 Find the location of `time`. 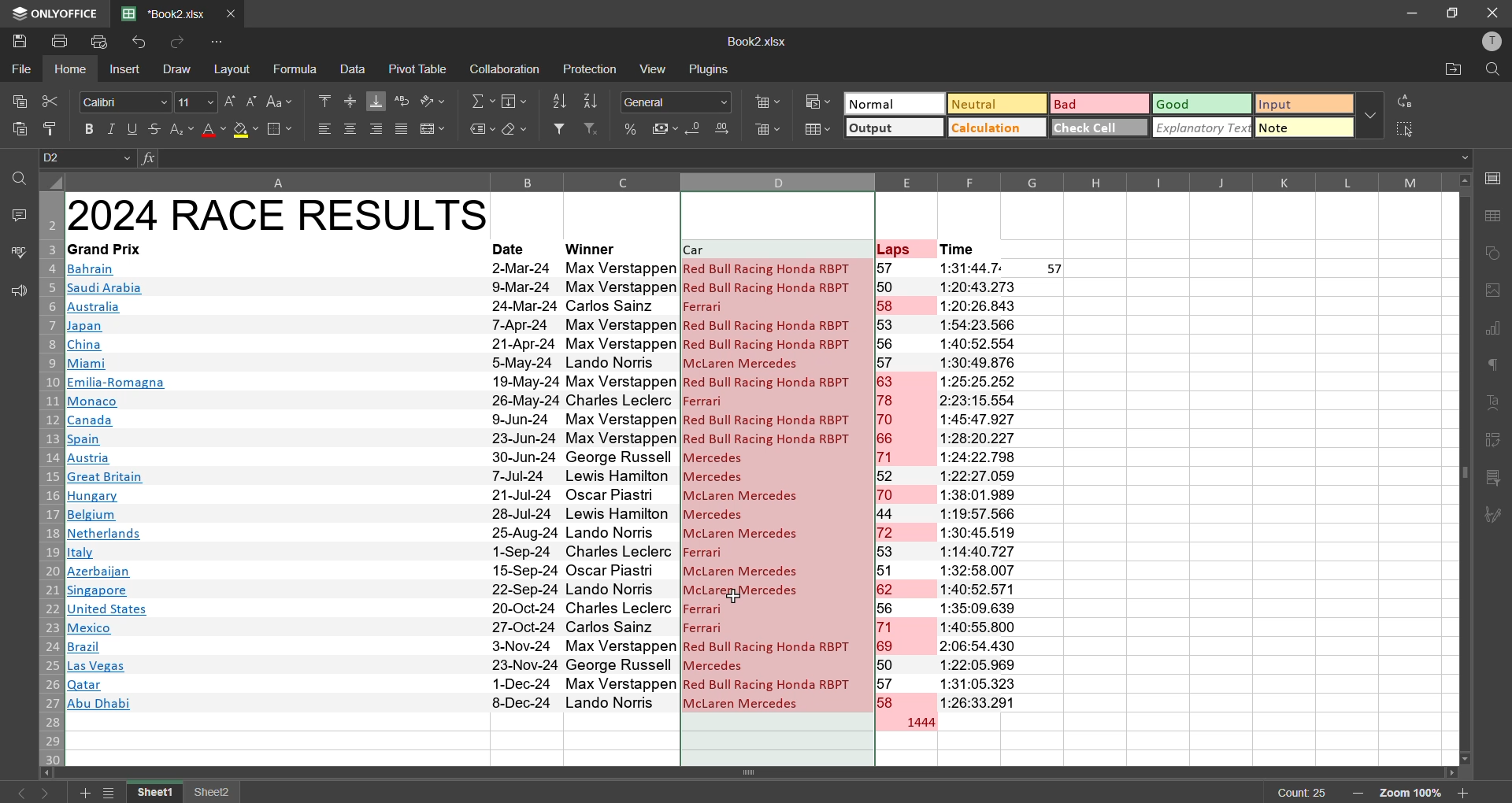

time is located at coordinates (959, 250).